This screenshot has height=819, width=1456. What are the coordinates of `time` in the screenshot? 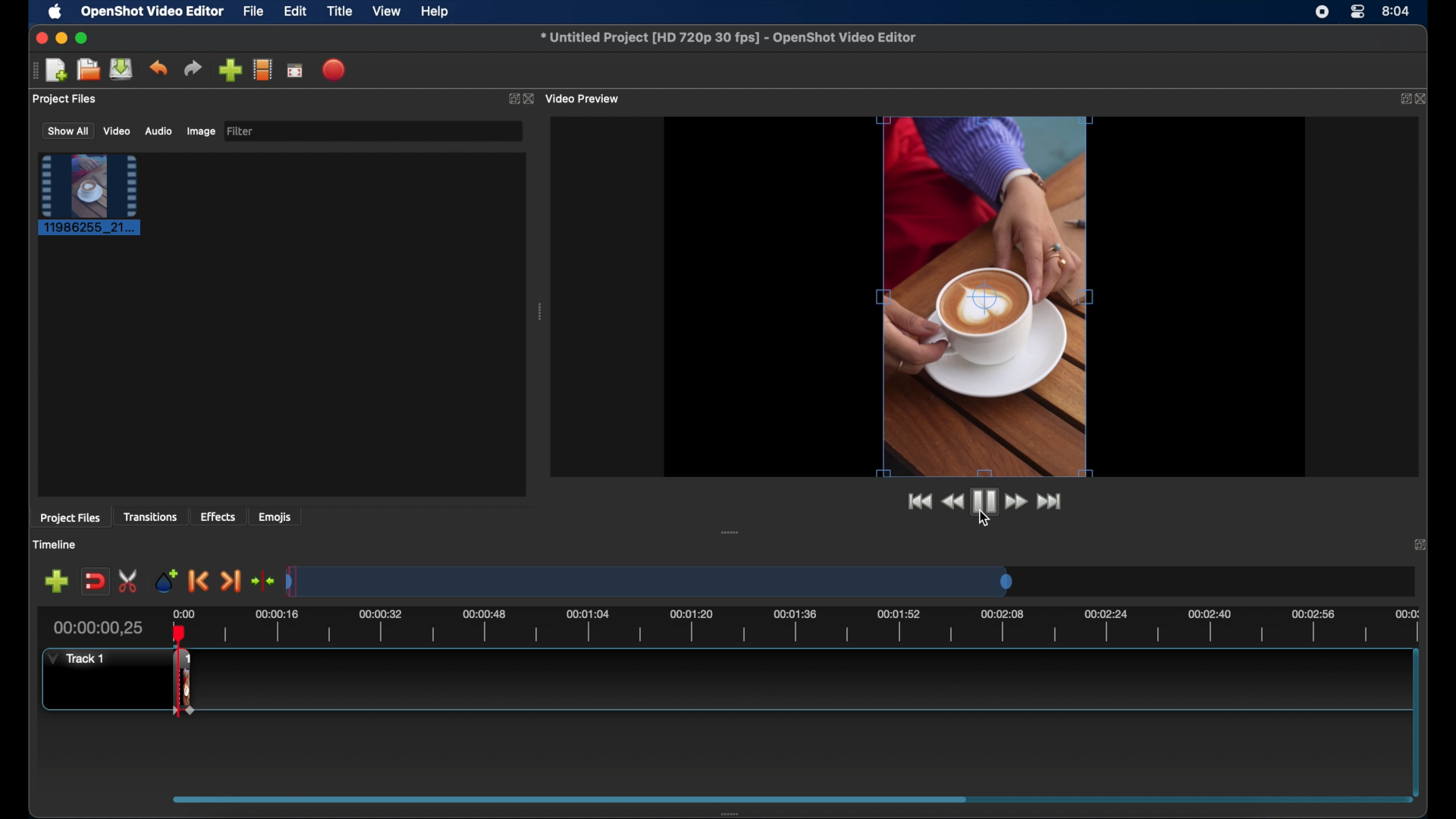 It's located at (1397, 10).